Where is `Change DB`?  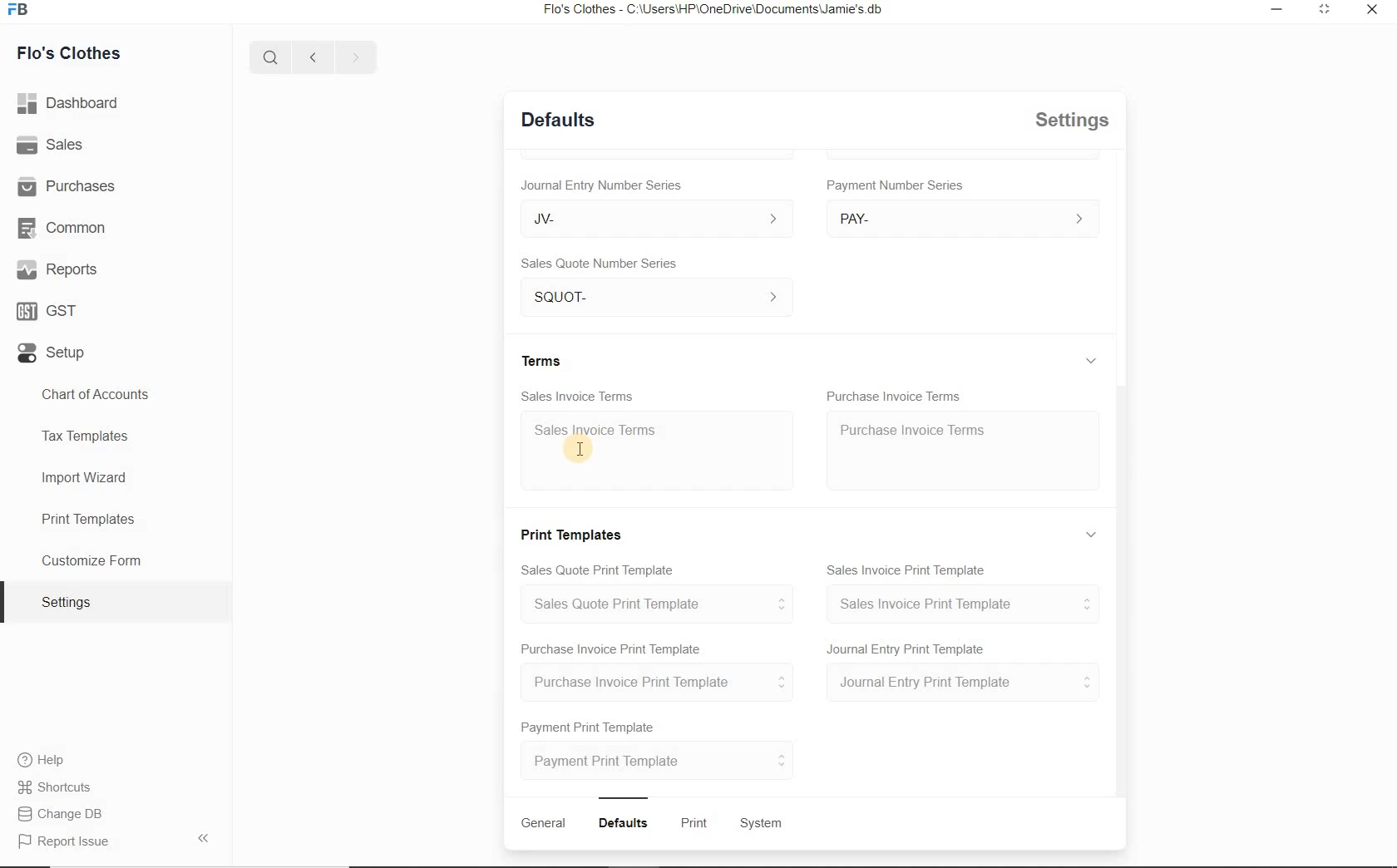 Change DB is located at coordinates (62, 816).